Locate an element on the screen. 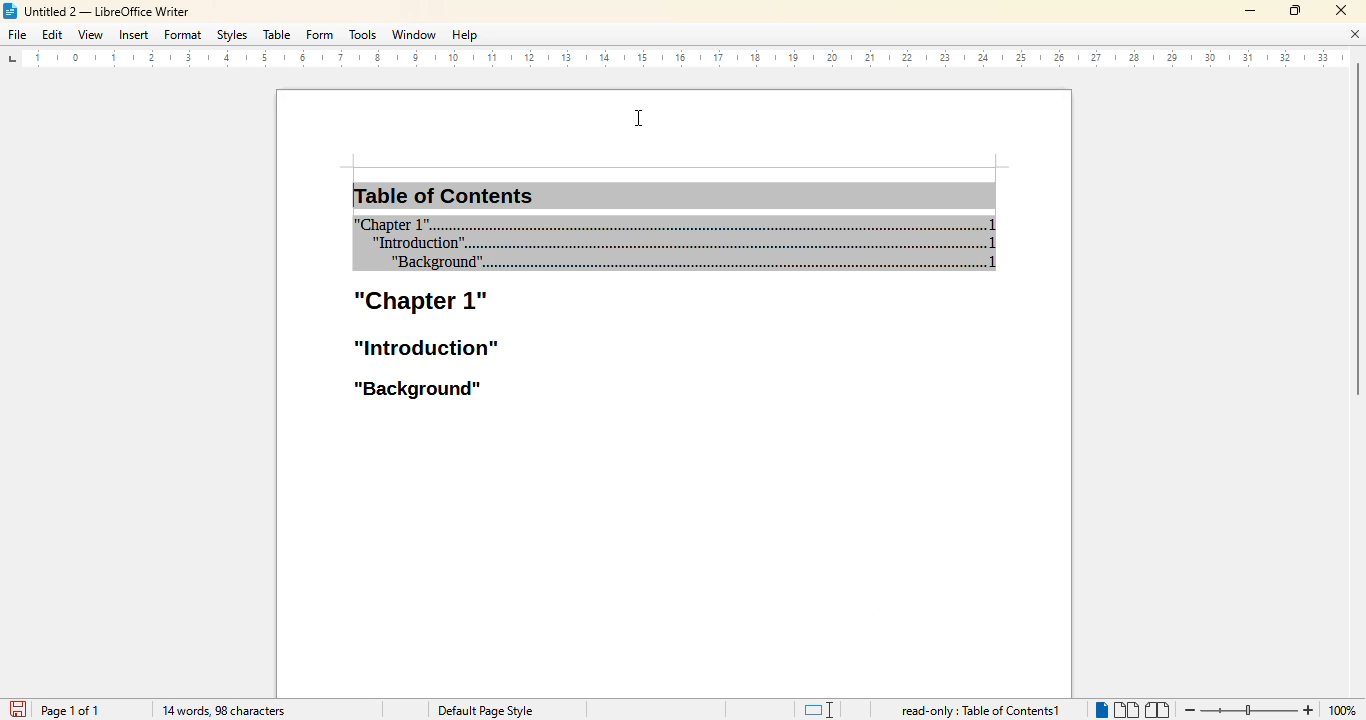 The height and width of the screenshot is (720, 1366). format is located at coordinates (182, 34).